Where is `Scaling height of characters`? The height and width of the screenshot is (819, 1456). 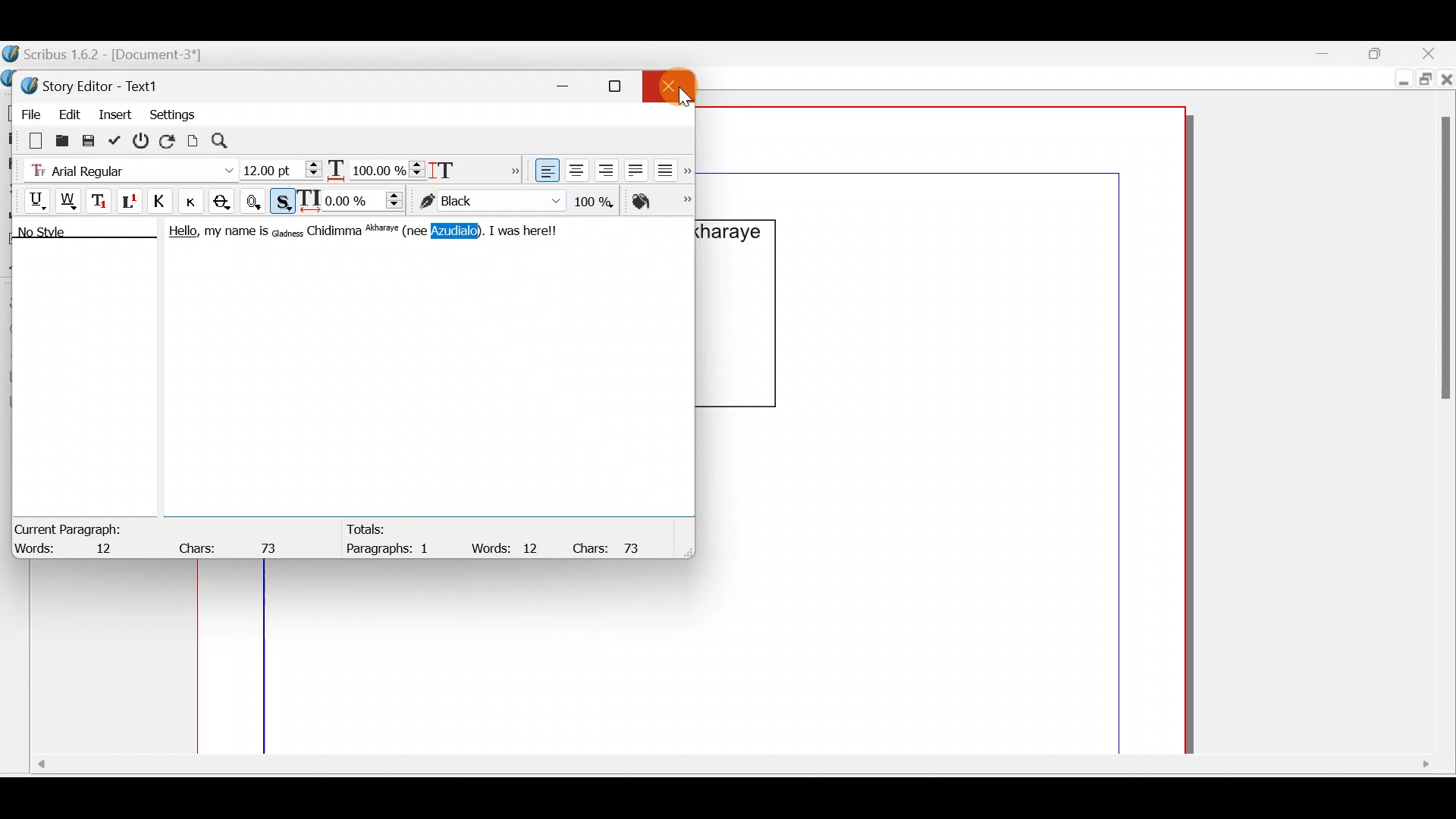 Scaling height of characters is located at coordinates (464, 165).